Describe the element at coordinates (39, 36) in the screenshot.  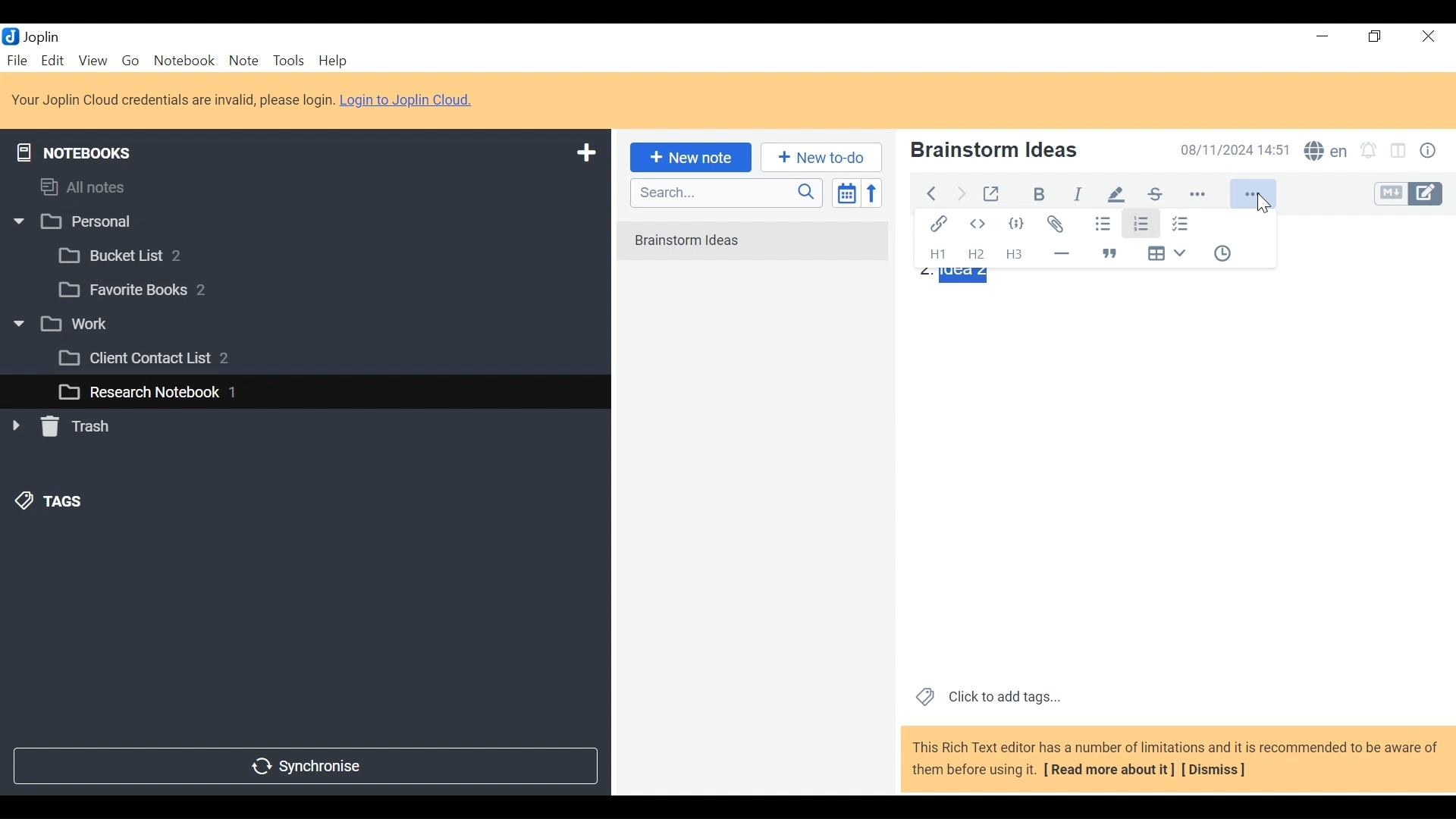
I see `Joplin Desktop Icon` at that location.